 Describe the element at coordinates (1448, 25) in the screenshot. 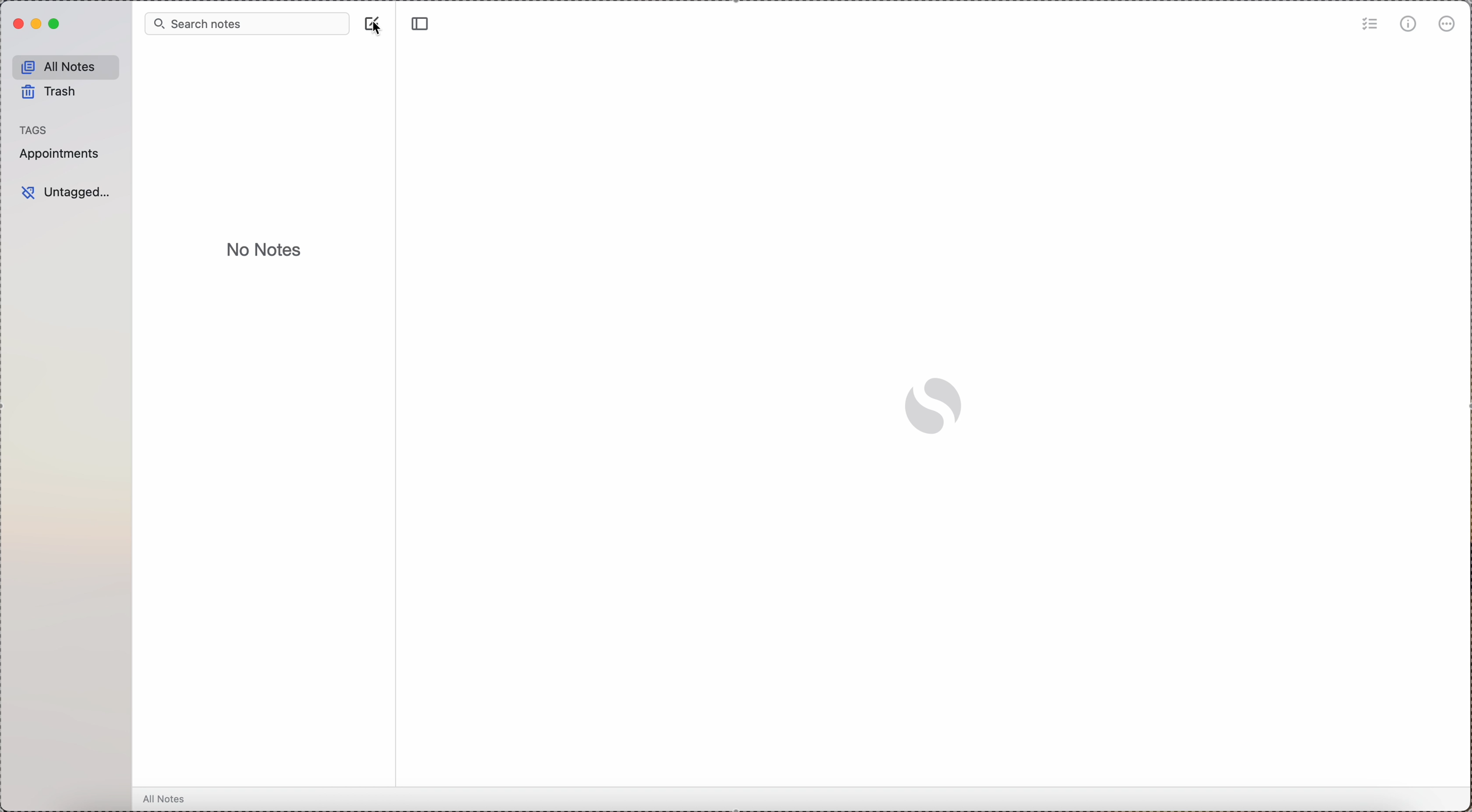

I see `more options` at that location.